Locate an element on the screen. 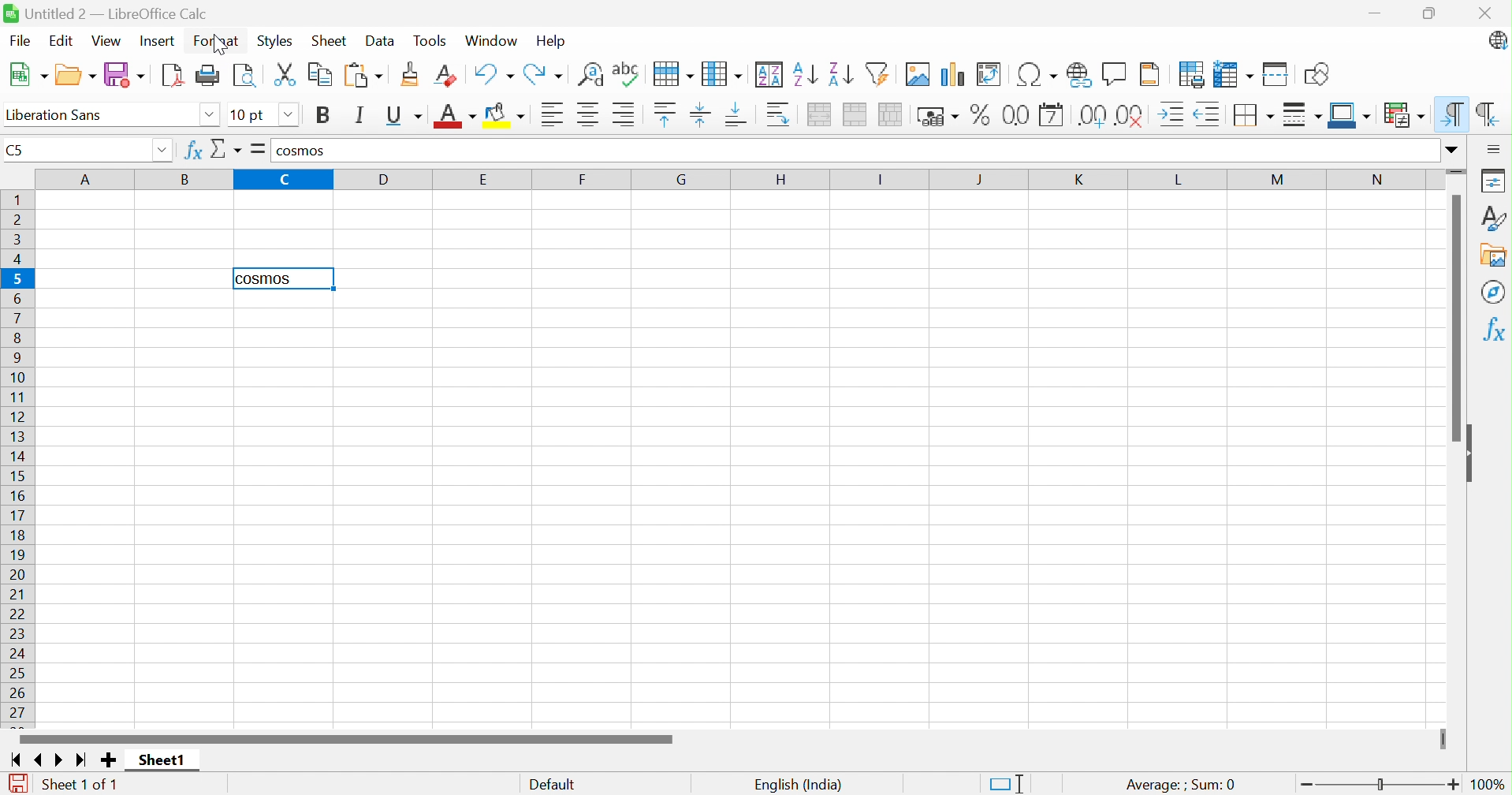 The height and width of the screenshot is (795, 1512). Miniimize is located at coordinates (1376, 14).